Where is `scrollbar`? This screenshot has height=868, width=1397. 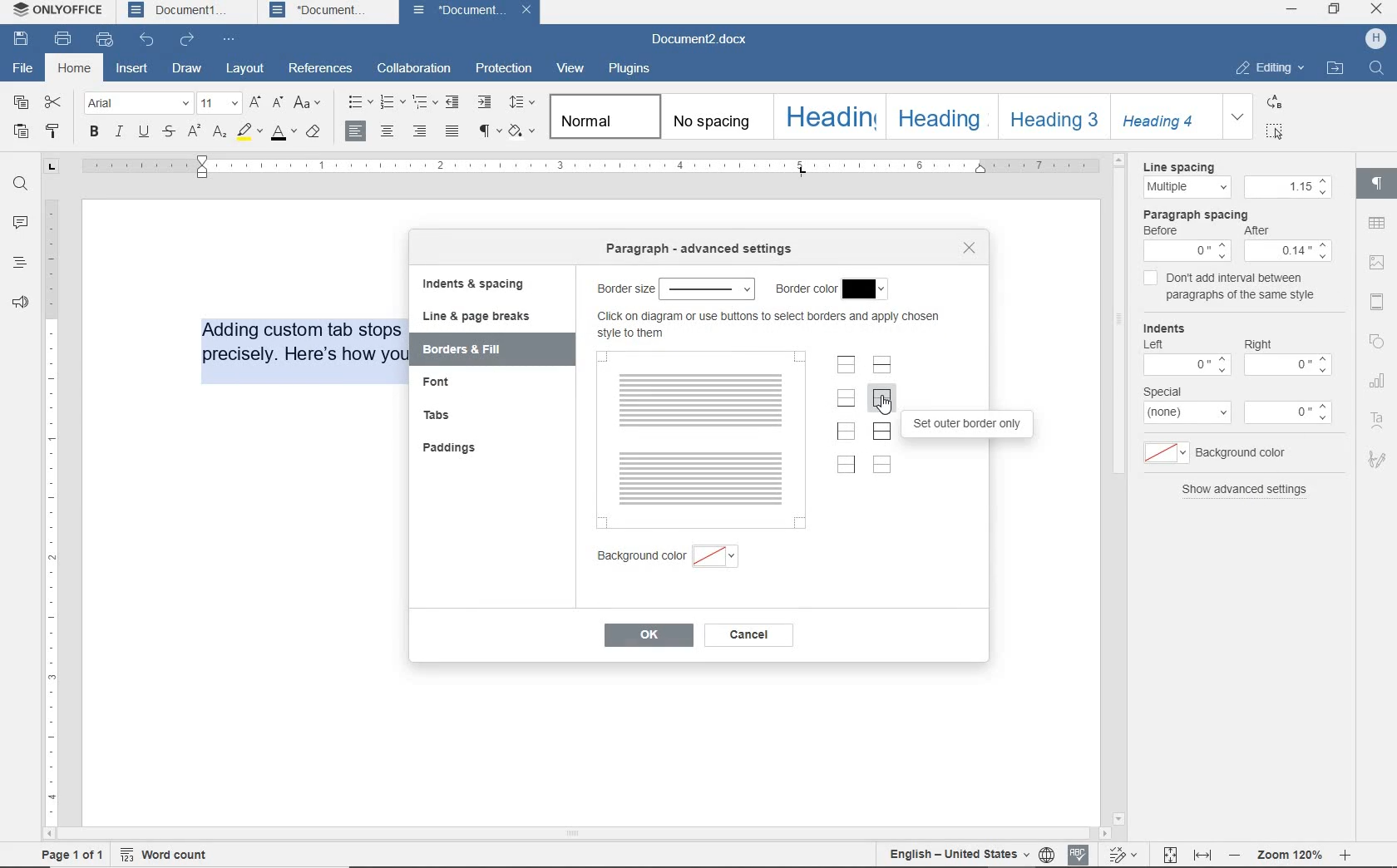 scrollbar is located at coordinates (1348, 496).